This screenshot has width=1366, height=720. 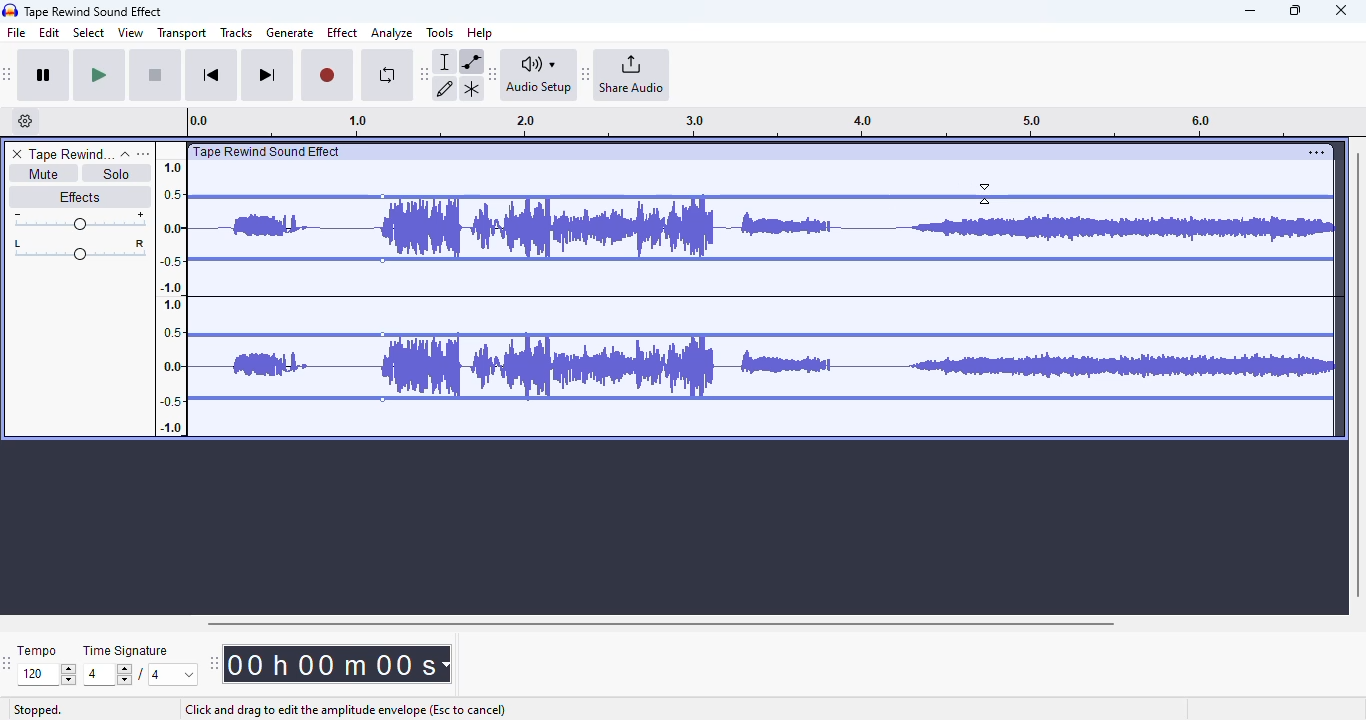 What do you see at coordinates (744, 122) in the screenshot?
I see `Track timeline` at bounding box center [744, 122].